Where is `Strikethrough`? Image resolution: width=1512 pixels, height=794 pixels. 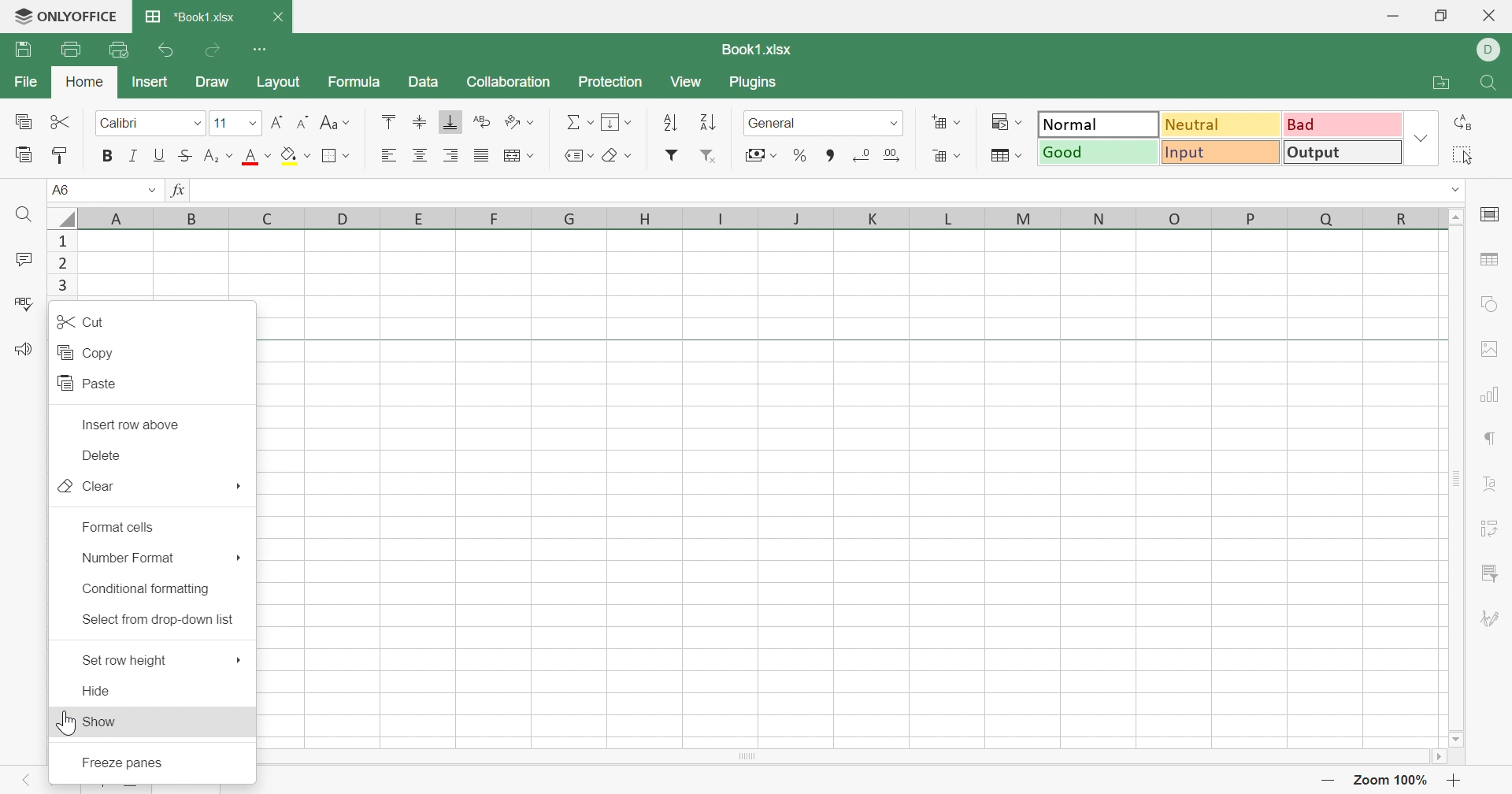 Strikethrough is located at coordinates (187, 157).